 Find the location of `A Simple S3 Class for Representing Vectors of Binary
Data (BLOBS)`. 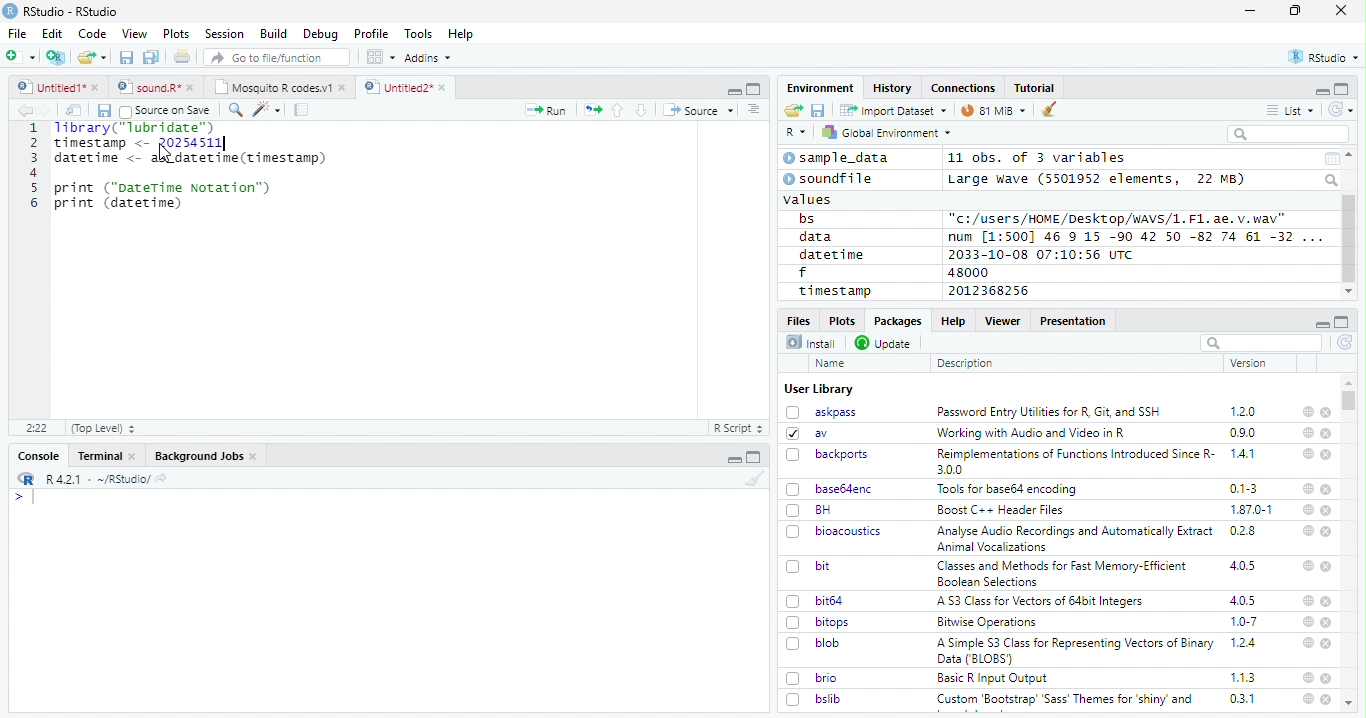

A Simple S3 Class for Representing Vectors of Binary
Data (BLOBS) is located at coordinates (1077, 650).